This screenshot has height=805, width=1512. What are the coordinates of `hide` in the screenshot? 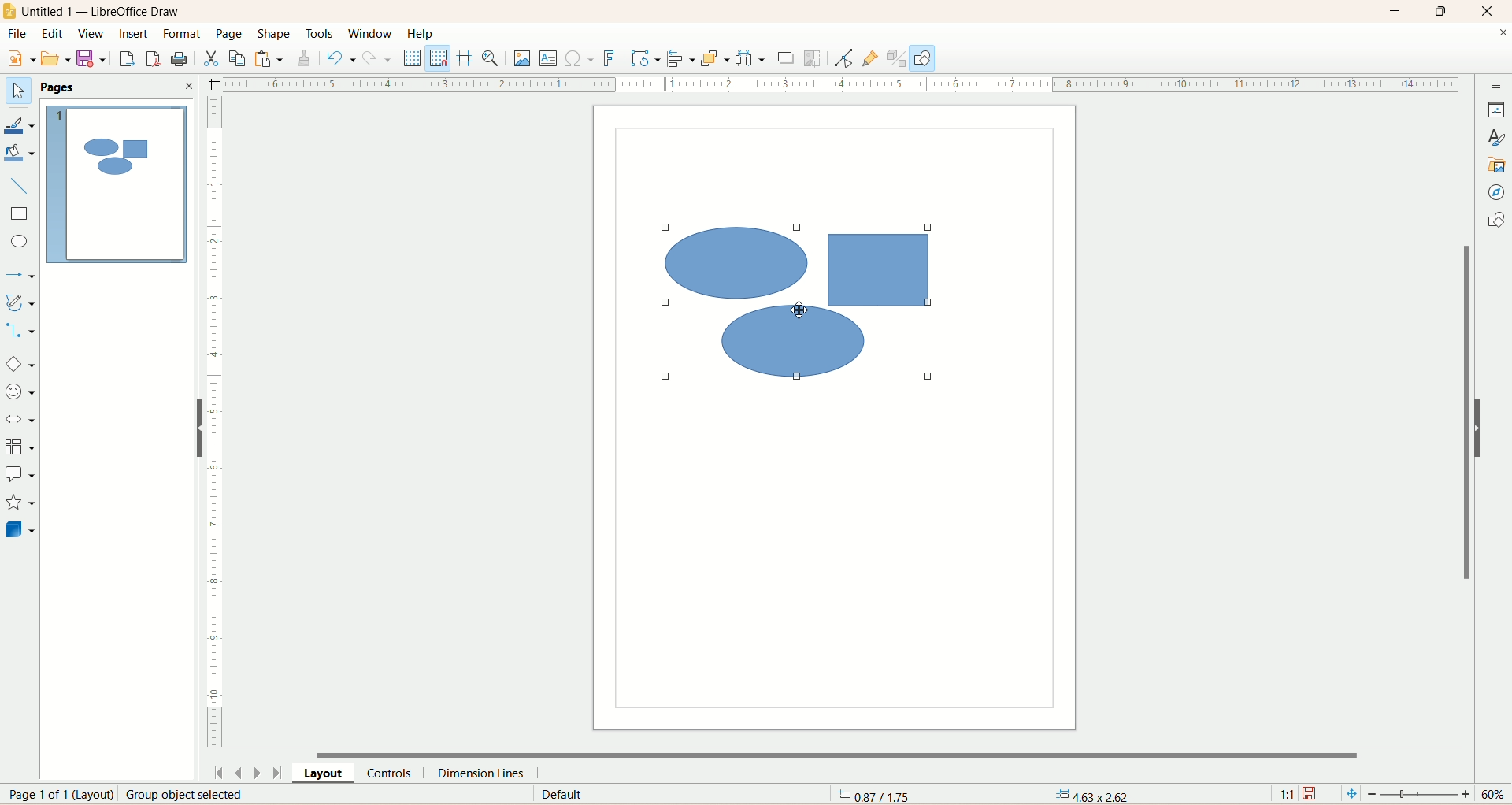 It's located at (1478, 428).